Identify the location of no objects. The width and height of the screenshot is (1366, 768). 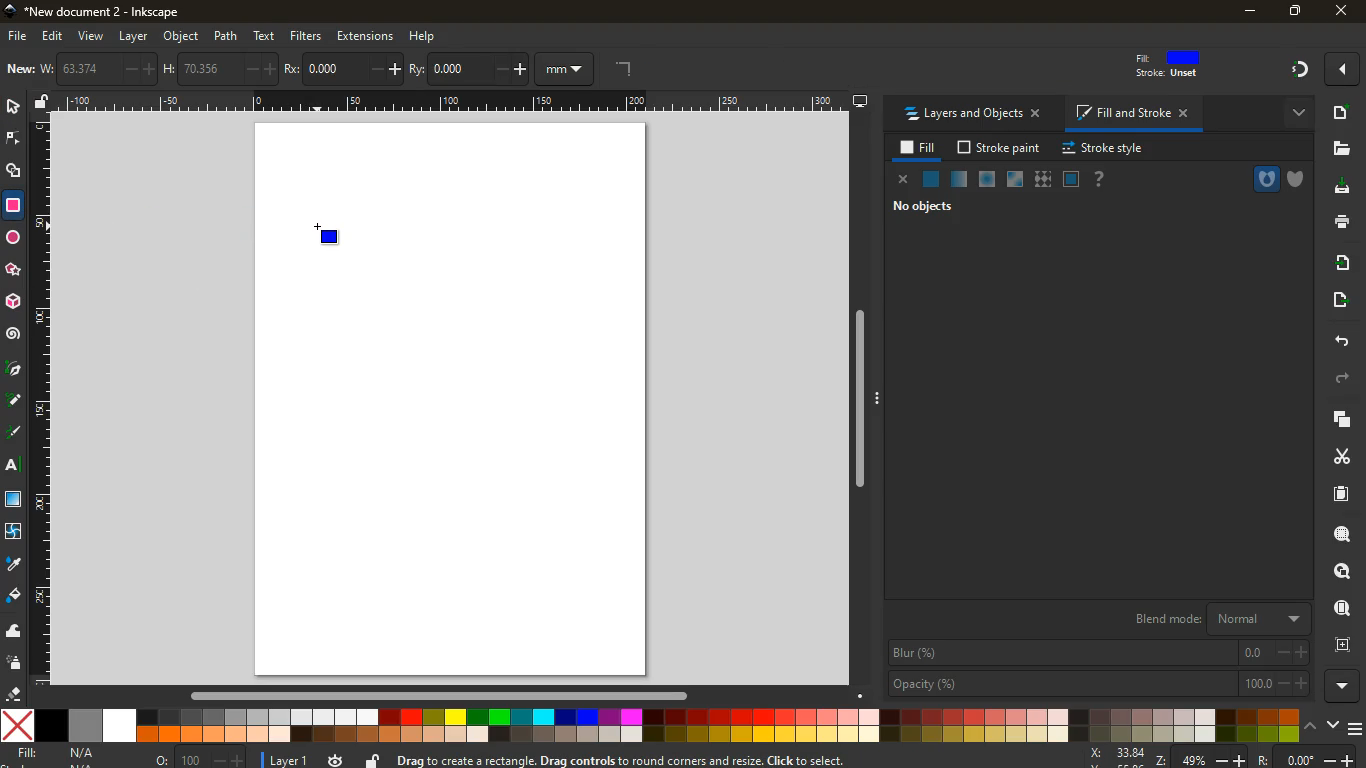
(931, 208).